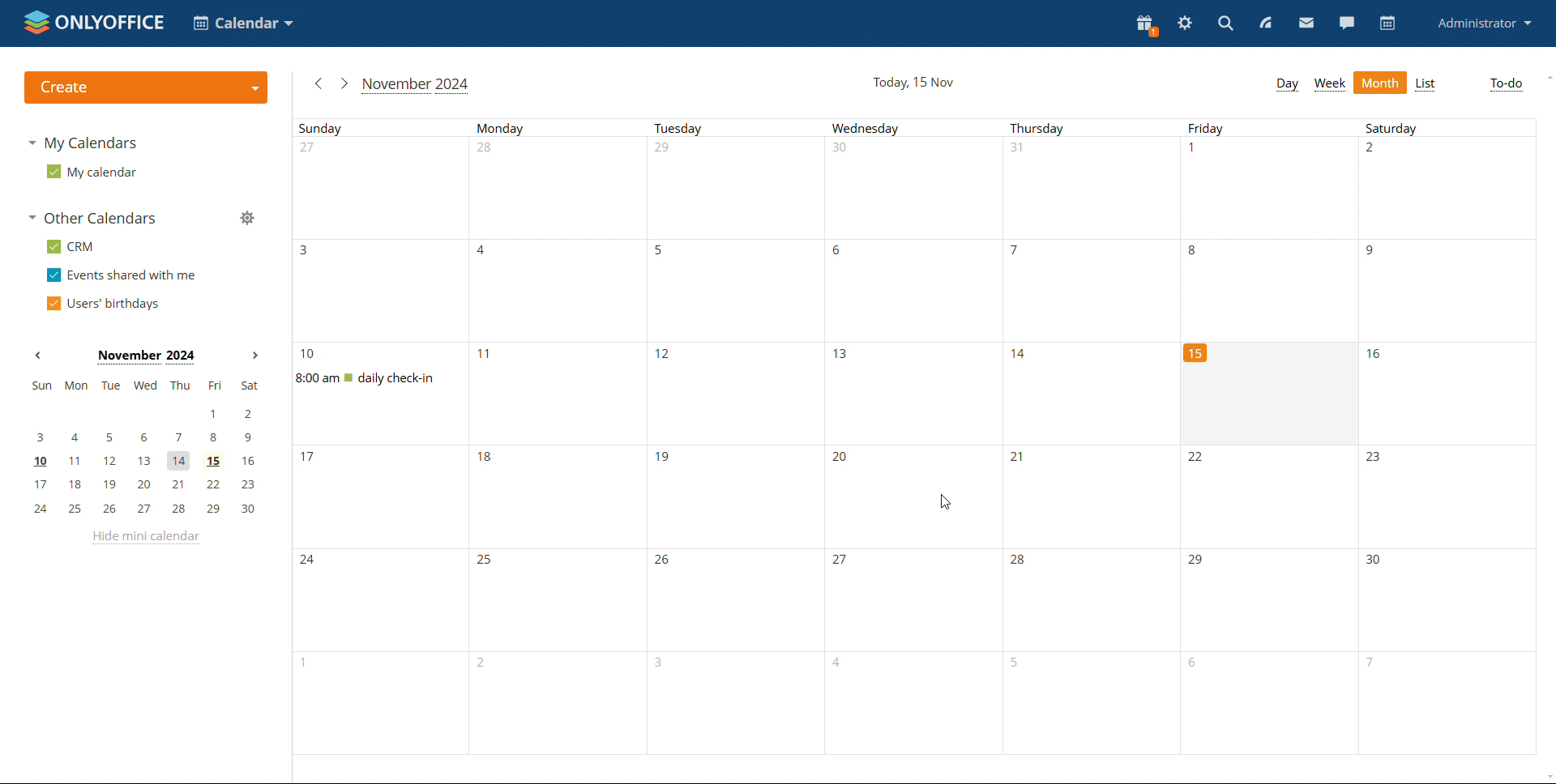 Image resolution: width=1556 pixels, height=784 pixels. I want to click on Number, so click(1372, 560).